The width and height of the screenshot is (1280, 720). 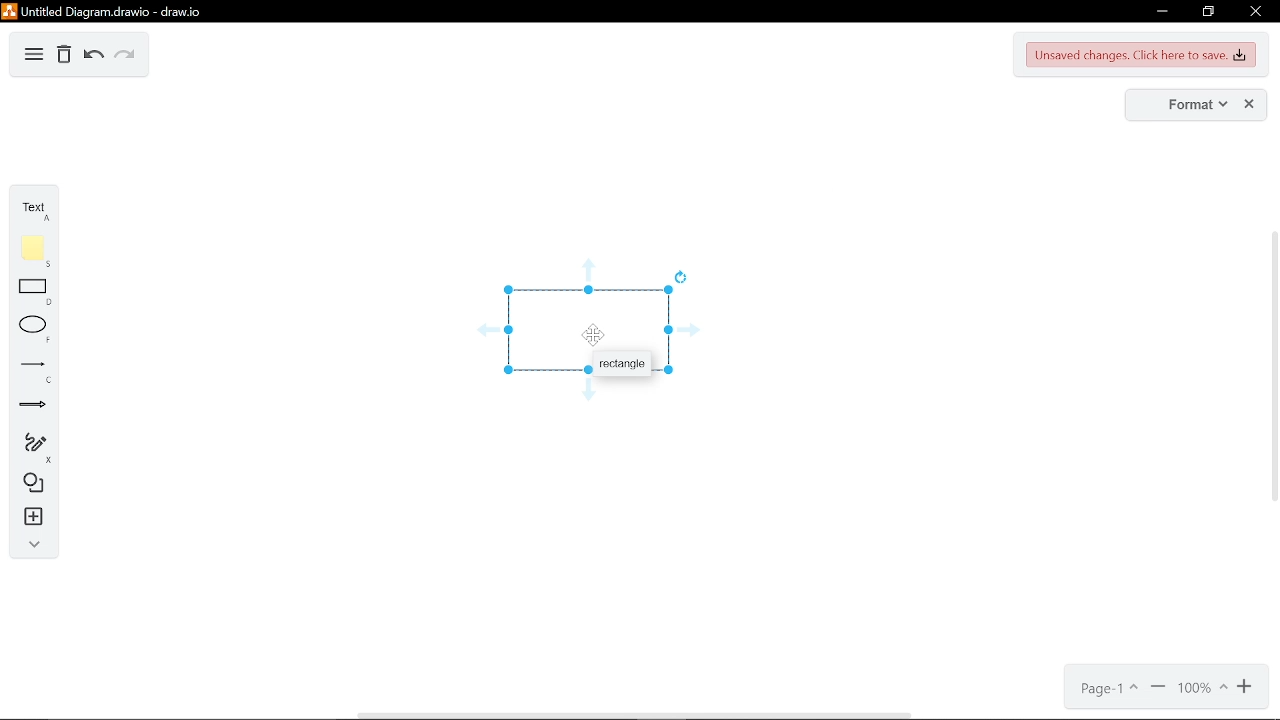 What do you see at coordinates (35, 448) in the screenshot?
I see `freehand` at bounding box center [35, 448].